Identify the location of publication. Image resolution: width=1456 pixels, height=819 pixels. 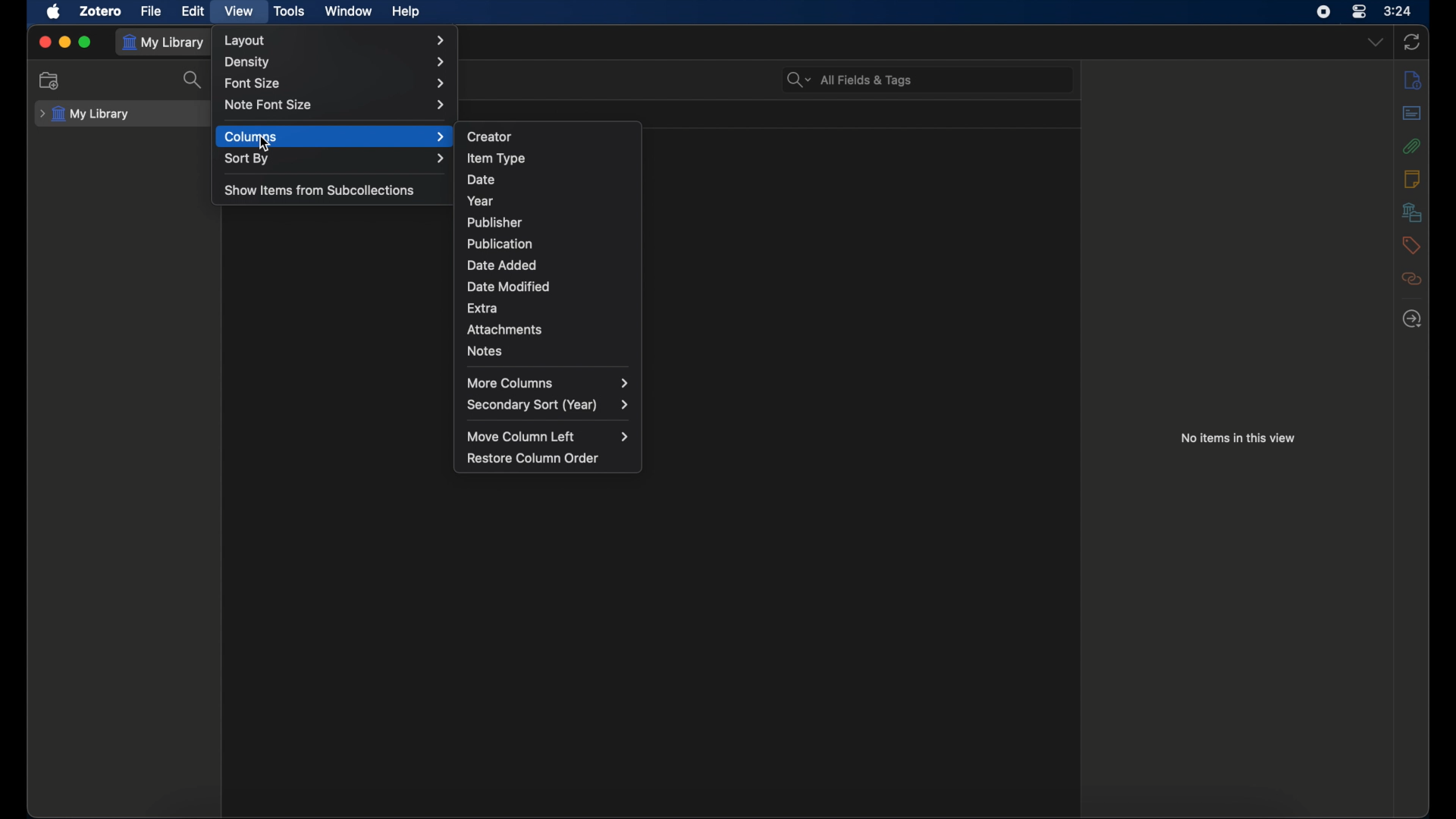
(499, 243).